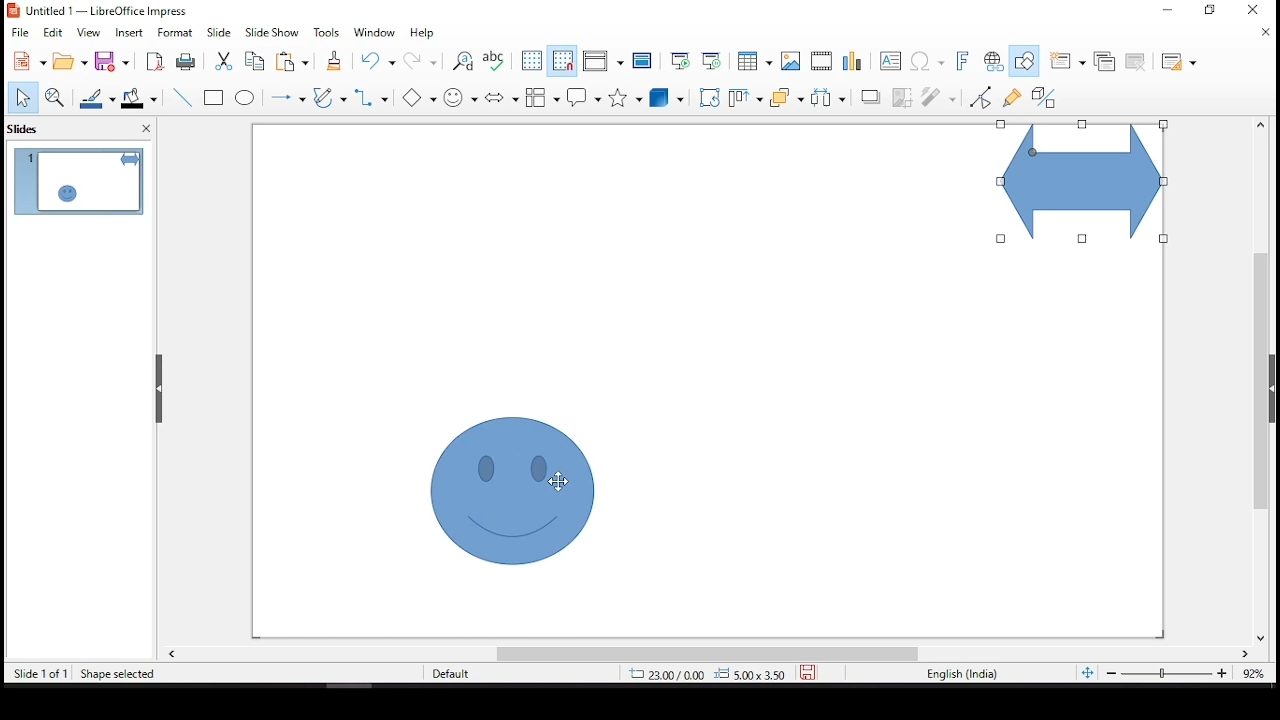 The image size is (1280, 720). What do you see at coordinates (823, 61) in the screenshot?
I see `insert audio or video` at bounding box center [823, 61].